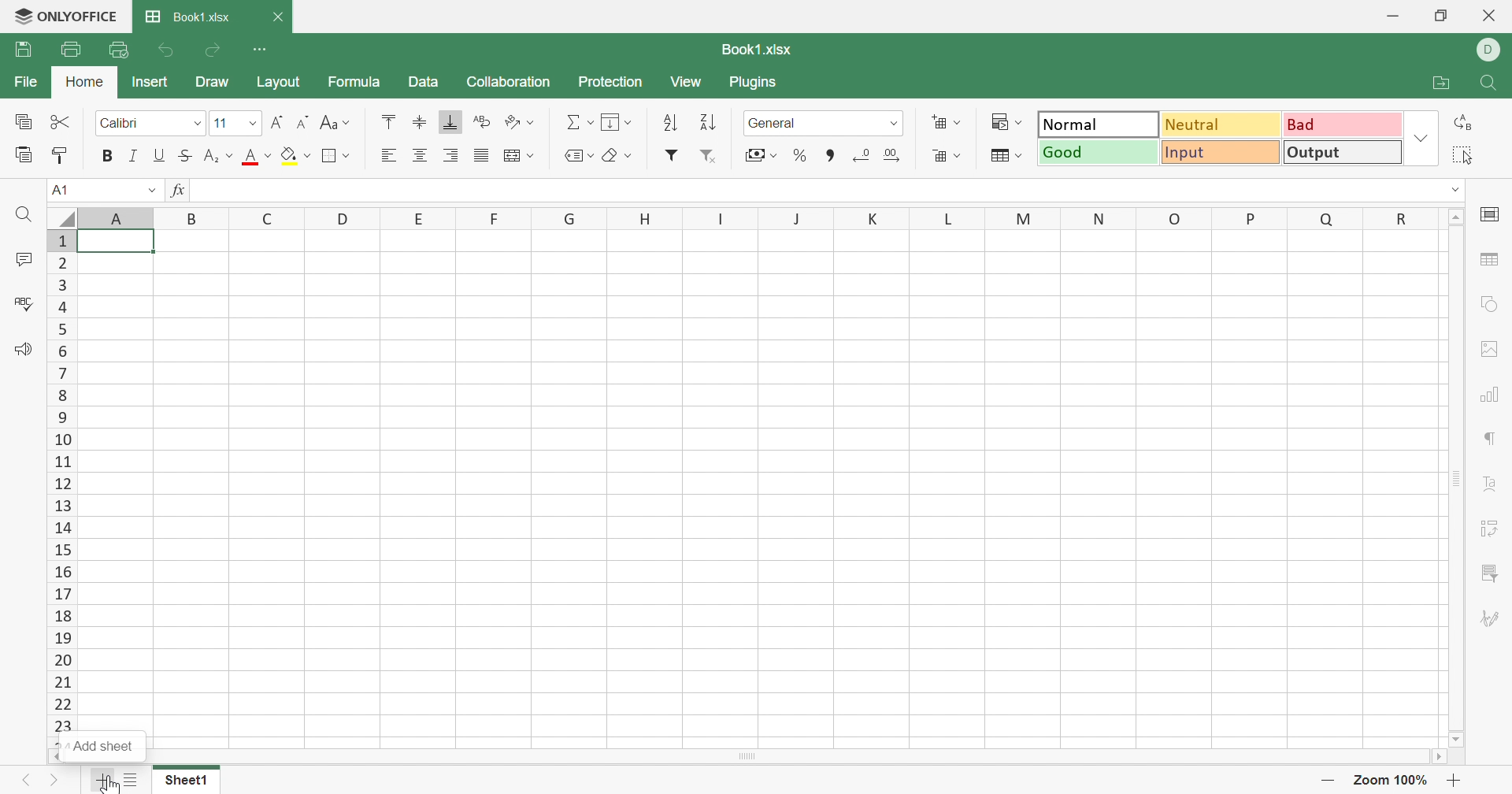 This screenshot has width=1512, height=794. Describe the element at coordinates (1173, 217) in the screenshot. I see `O` at that location.